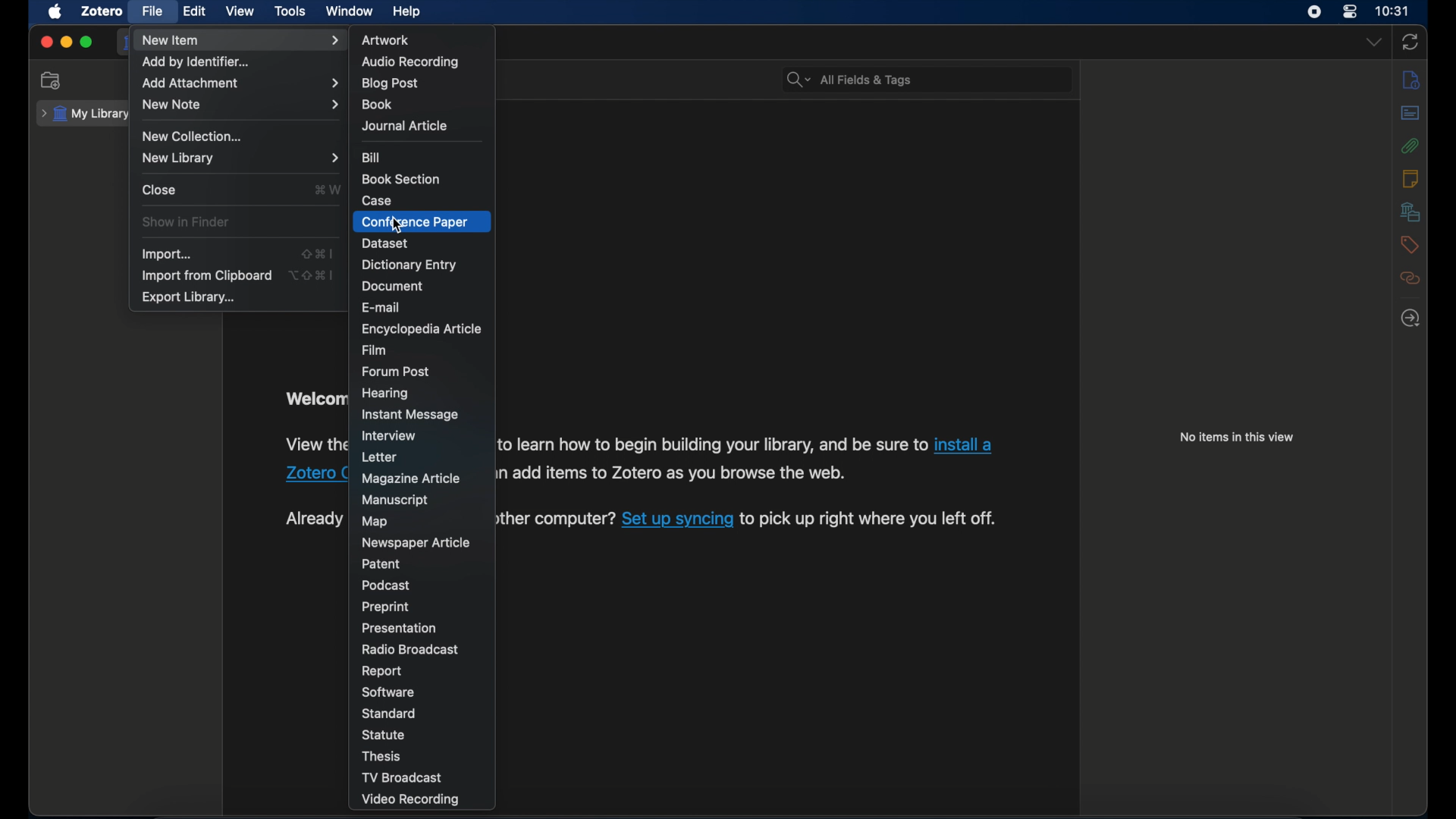 This screenshot has width=1456, height=819. What do you see at coordinates (241, 104) in the screenshot?
I see `new note` at bounding box center [241, 104].